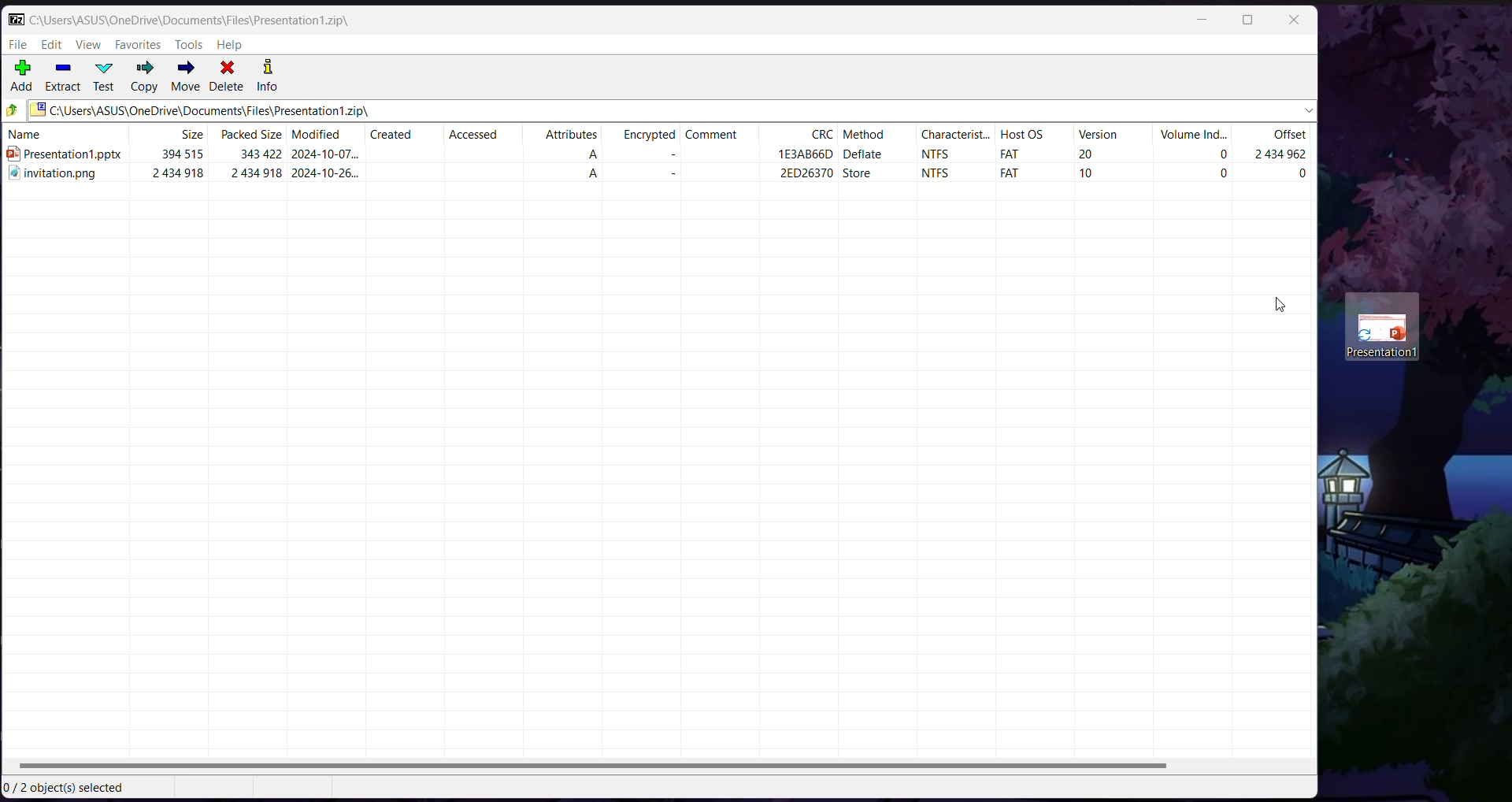 Image resolution: width=1512 pixels, height=802 pixels. What do you see at coordinates (1296, 20) in the screenshot?
I see `Close` at bounding box center [1296, 20].